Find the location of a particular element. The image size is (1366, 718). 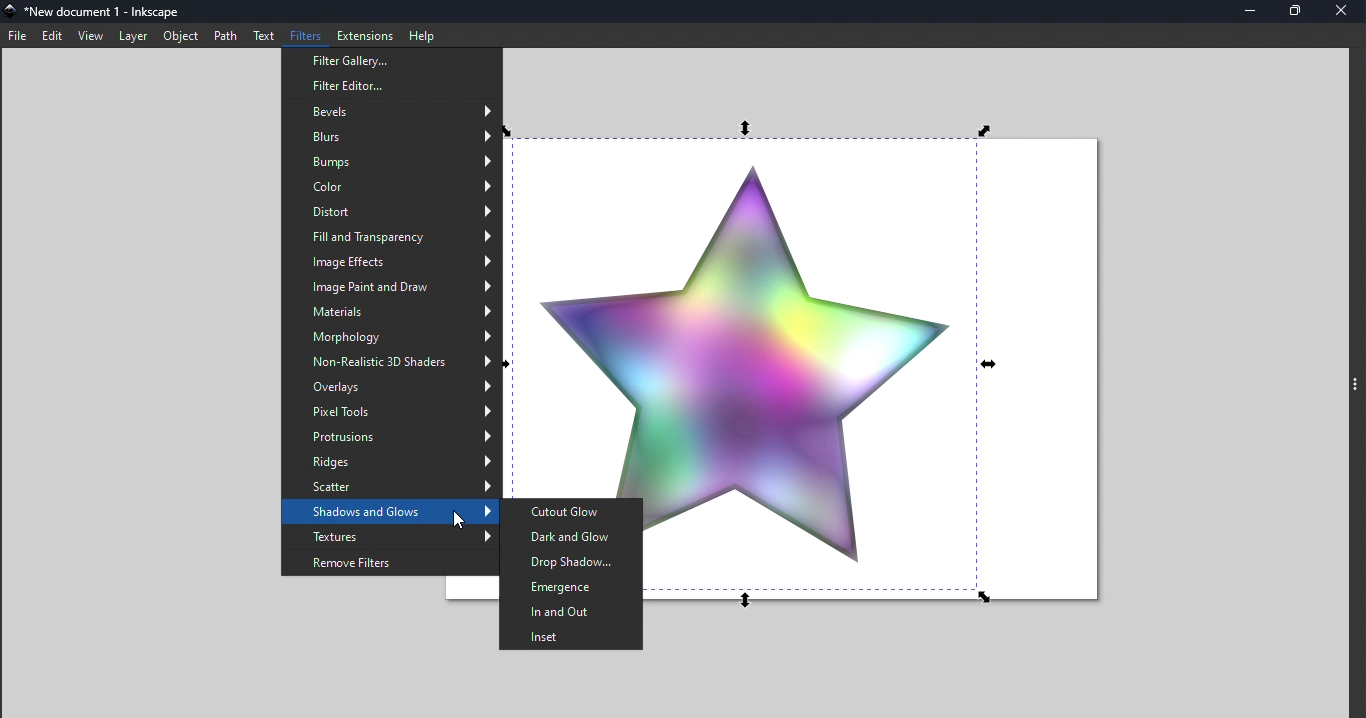

Ridges is located at coordinates (392, 462).